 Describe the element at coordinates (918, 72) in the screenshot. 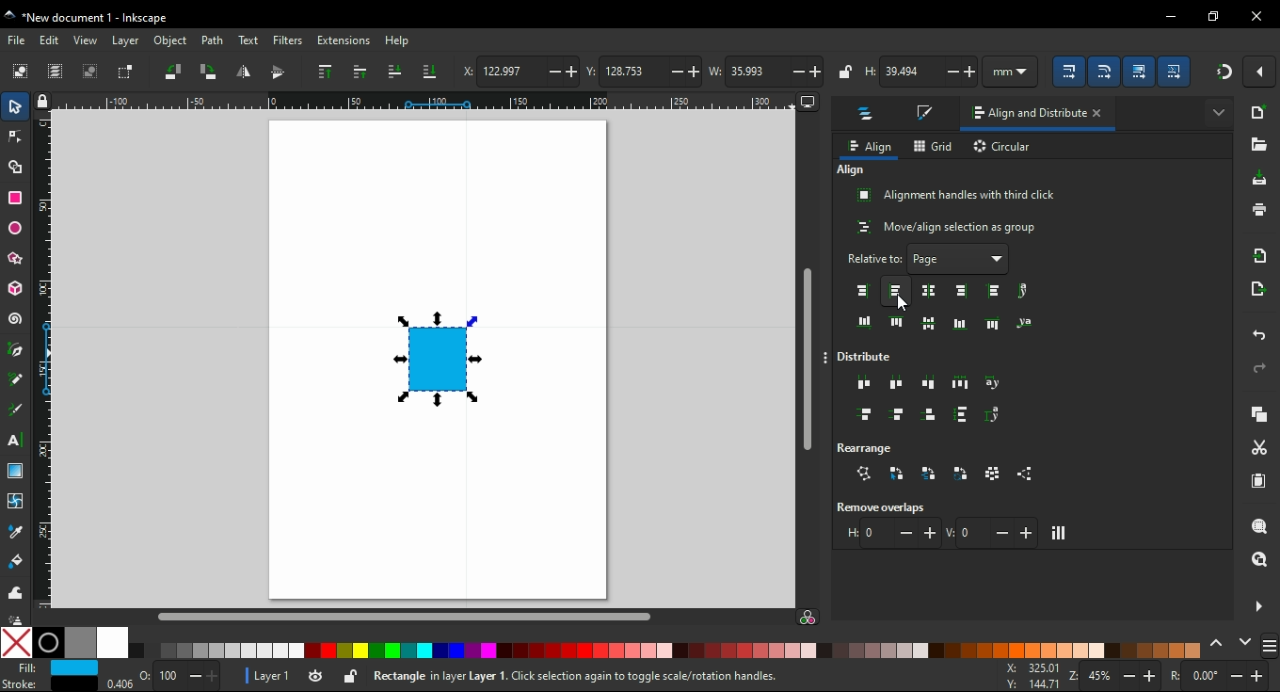

I see `height of selection` at that location.